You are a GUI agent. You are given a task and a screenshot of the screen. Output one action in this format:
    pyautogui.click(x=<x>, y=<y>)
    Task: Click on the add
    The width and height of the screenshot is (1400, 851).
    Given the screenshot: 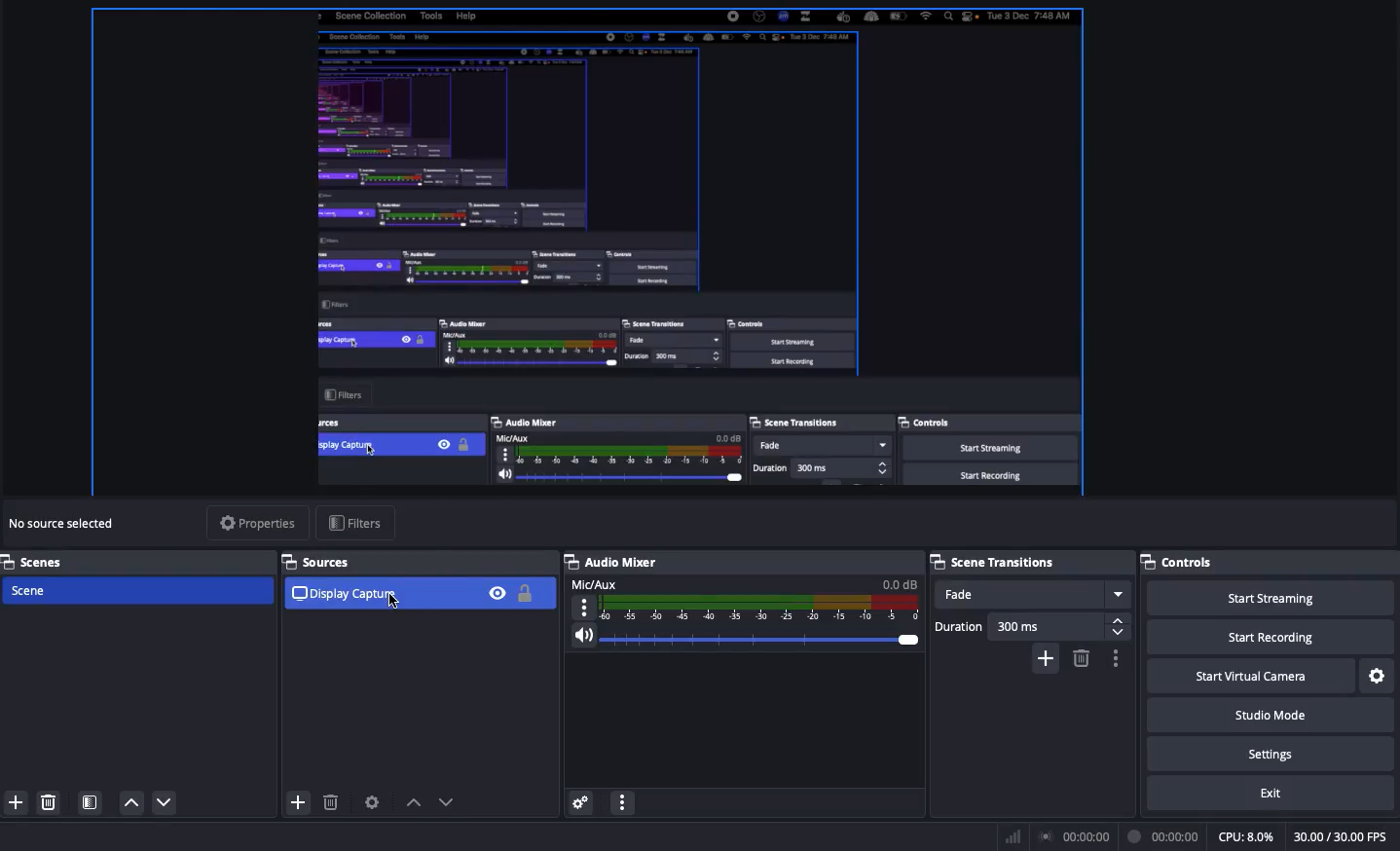 What is the action you would take?
    pyautogui.click(x=297, y=806)
    